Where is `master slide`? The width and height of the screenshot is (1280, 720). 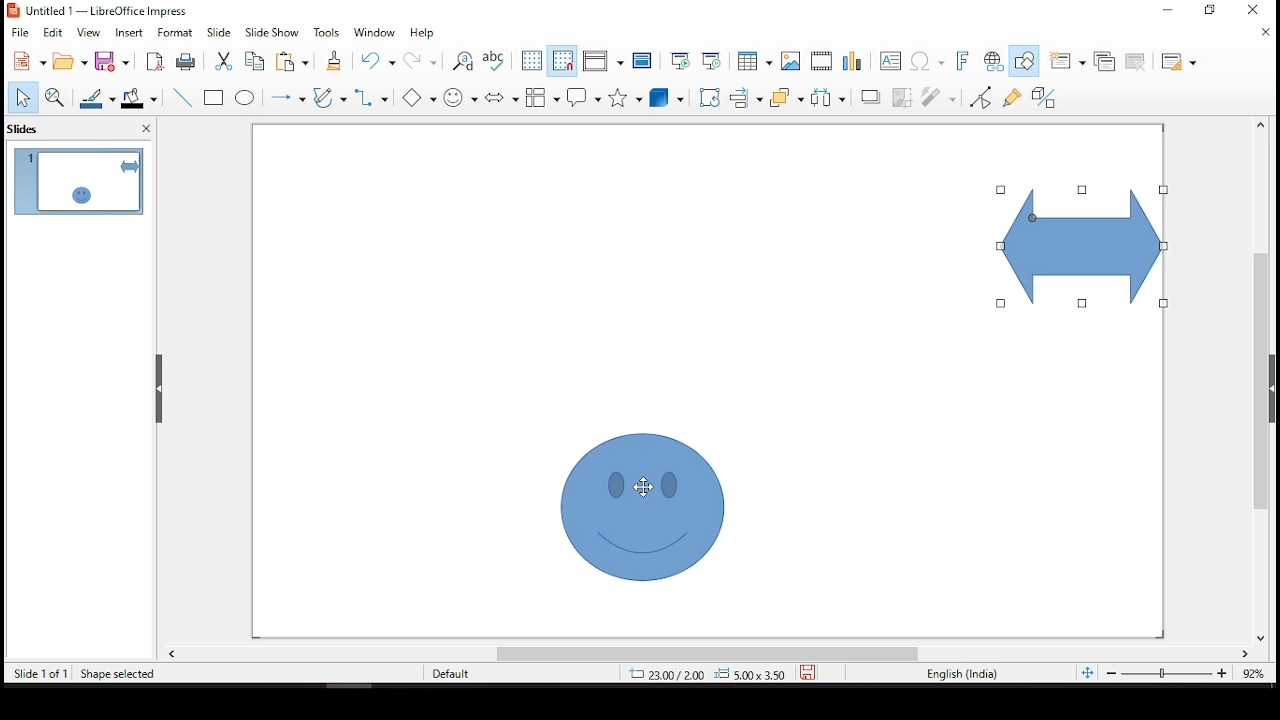
master slide is located at coordinates (644, 63).